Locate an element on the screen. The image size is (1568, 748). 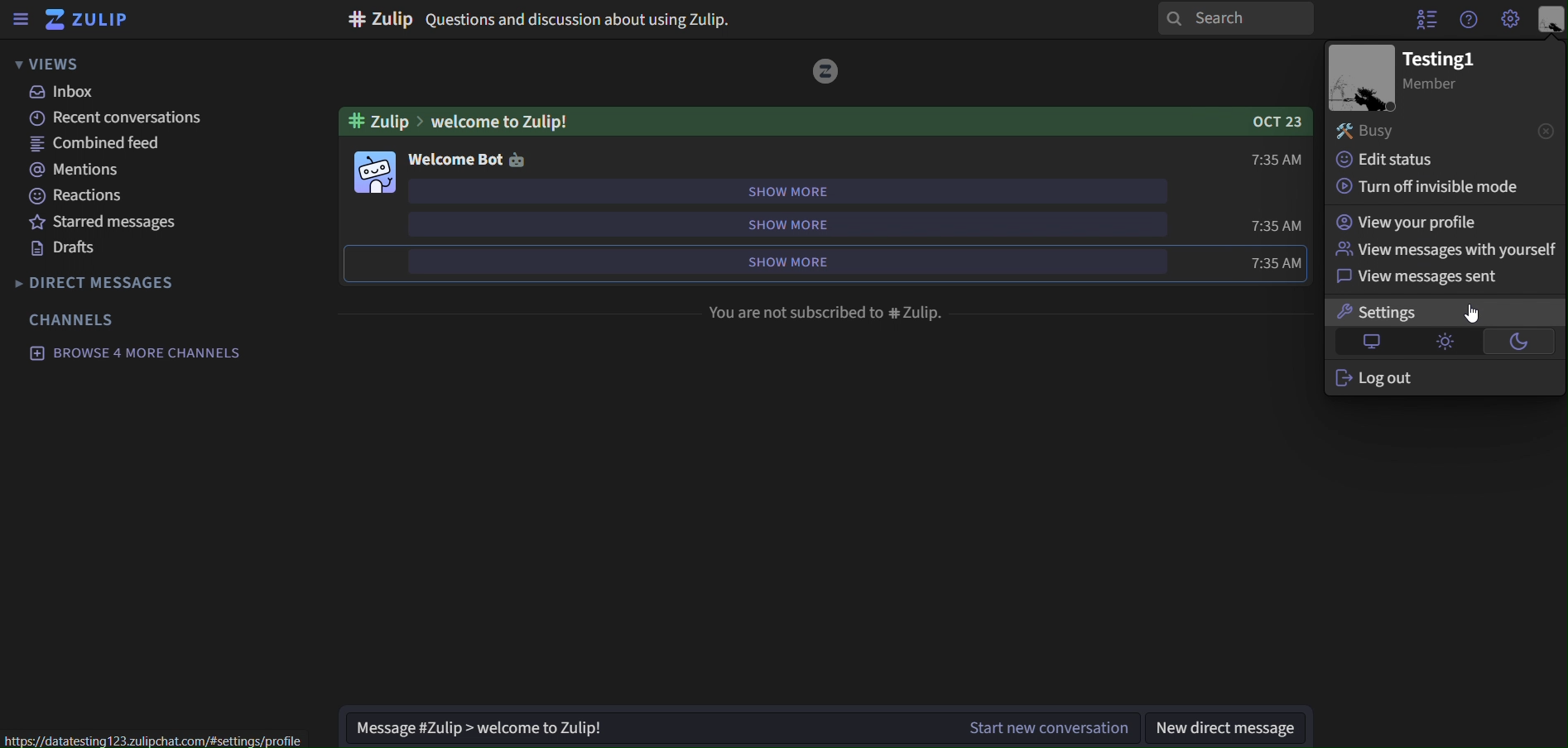
show more is located at coordinates (800, 263).